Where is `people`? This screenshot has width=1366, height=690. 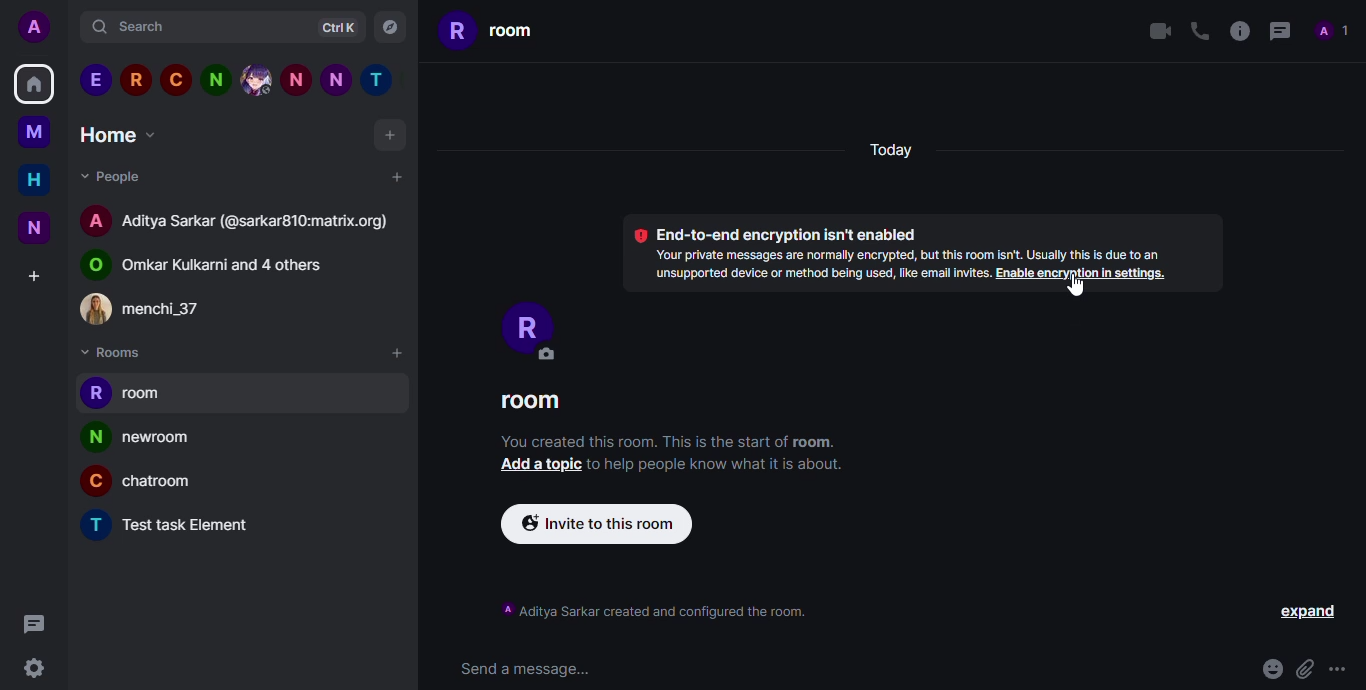
people is located at coordinates (1335, 32).